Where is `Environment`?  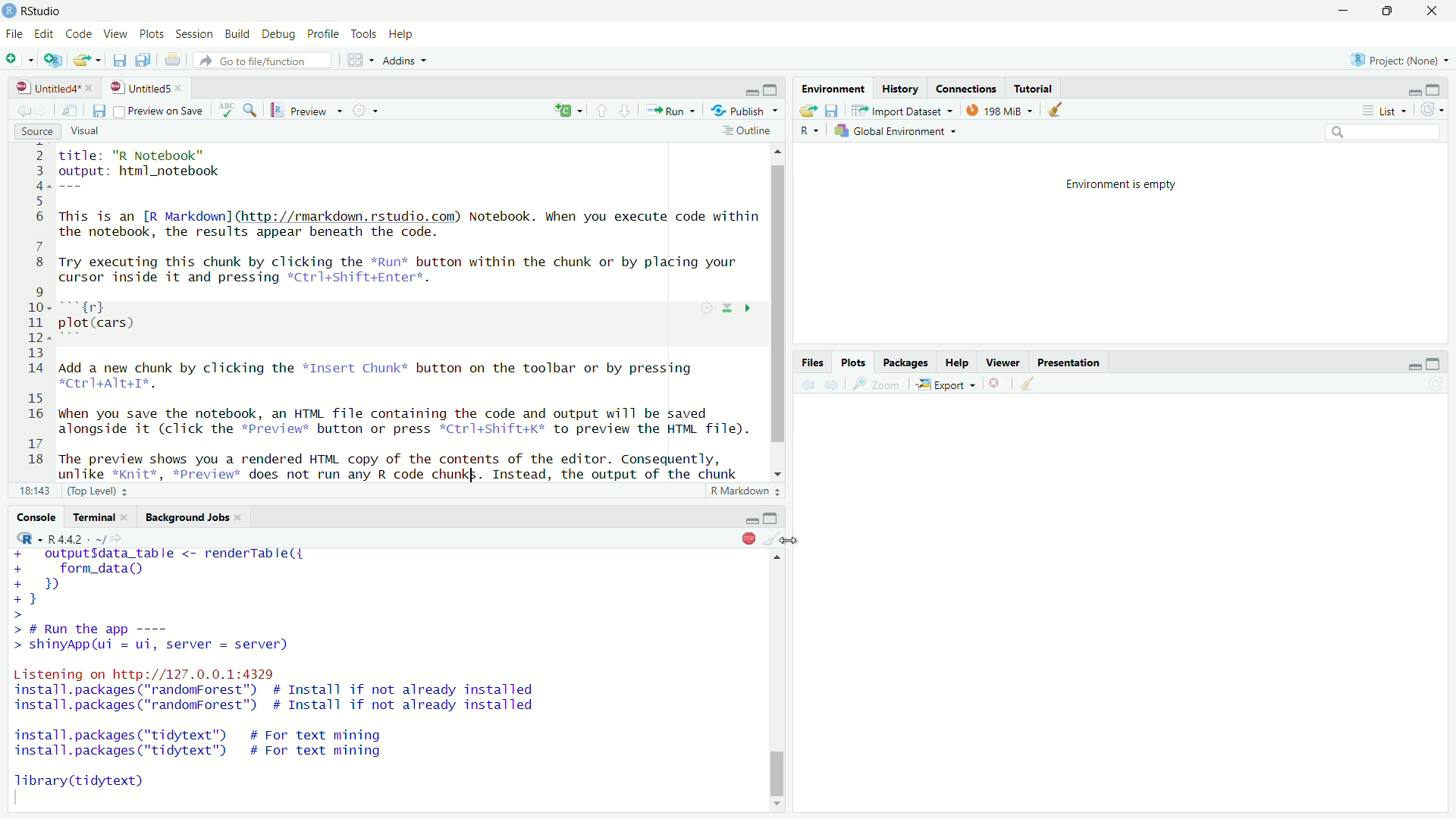 Environment is located at coordinates (831, 88).